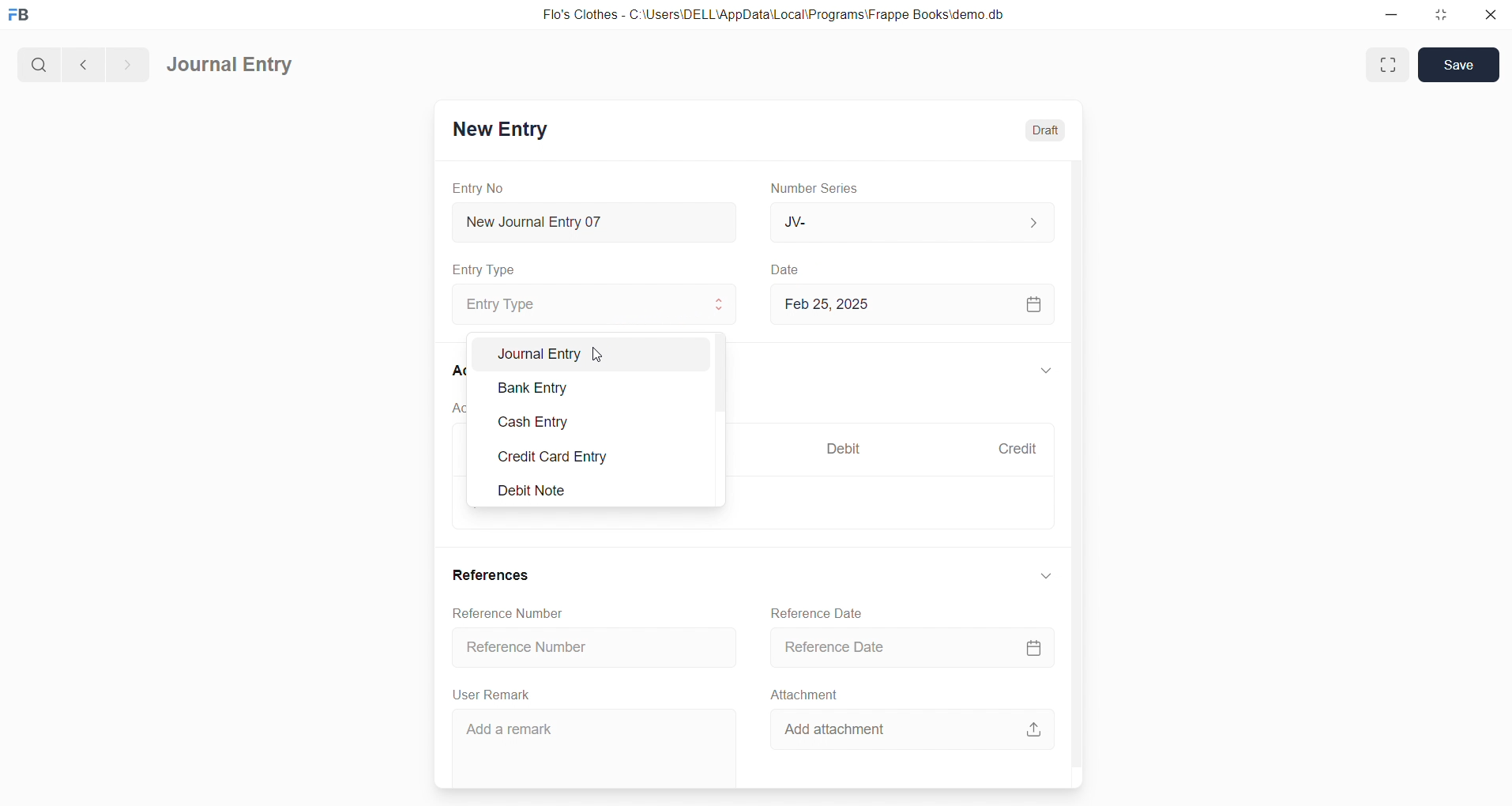 This screenshot has width=1512, height=806. I want to click on expand/collapse, so click(1044, 576).